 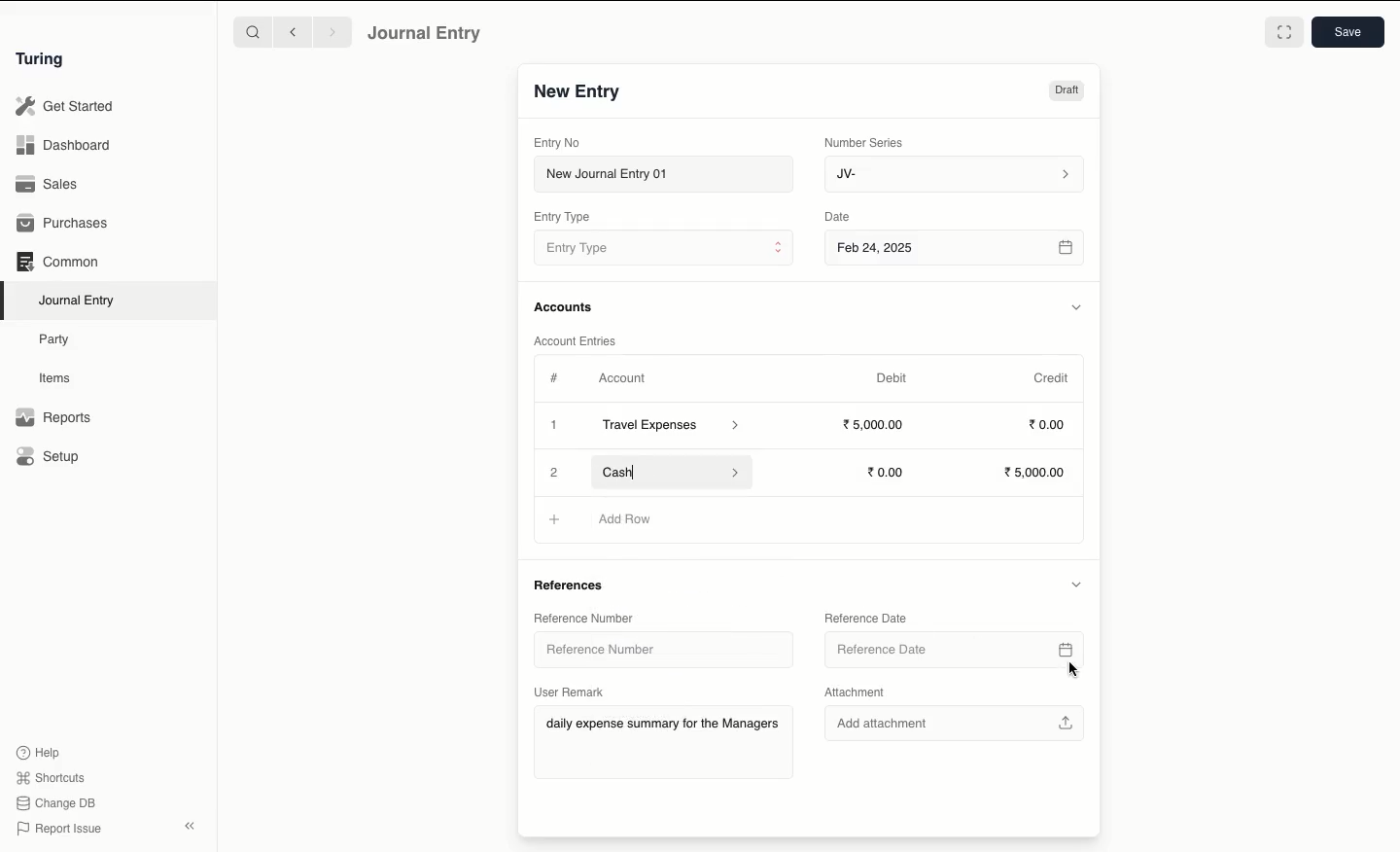 I want to click on Journal Entry, so click(x=78, y=302).